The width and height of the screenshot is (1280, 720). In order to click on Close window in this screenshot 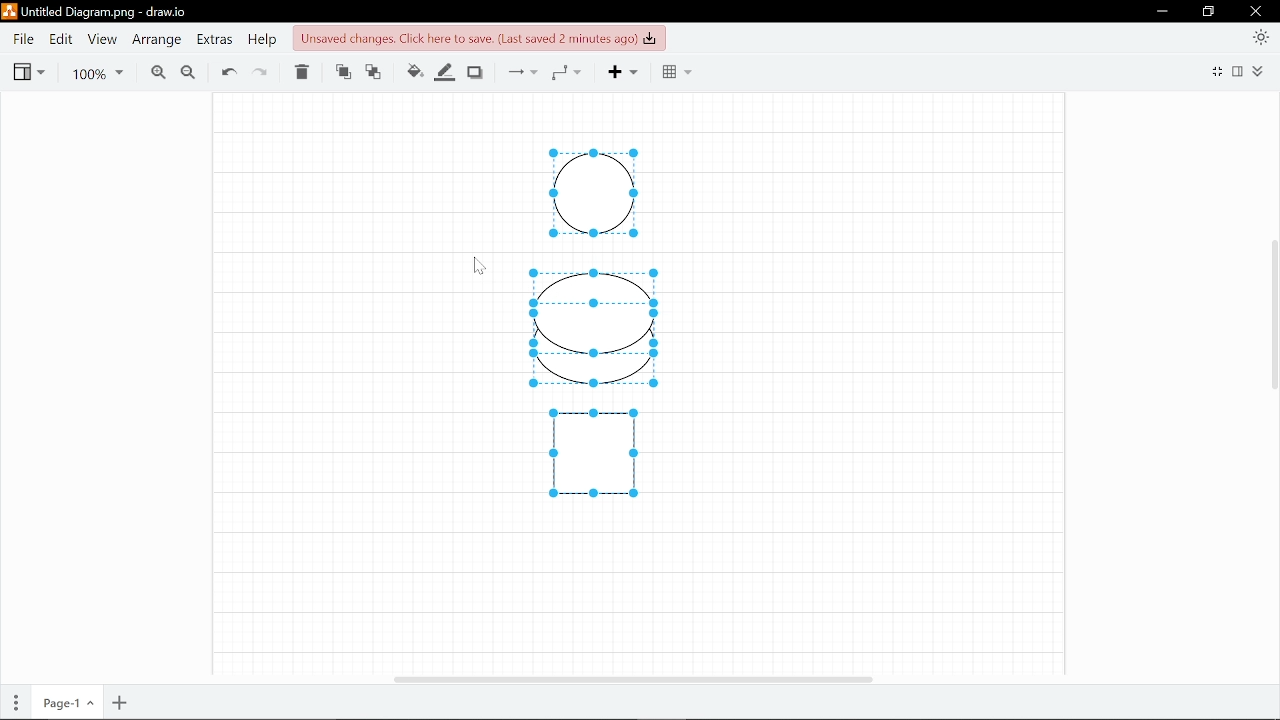, I will do `click(1257, 11)`.